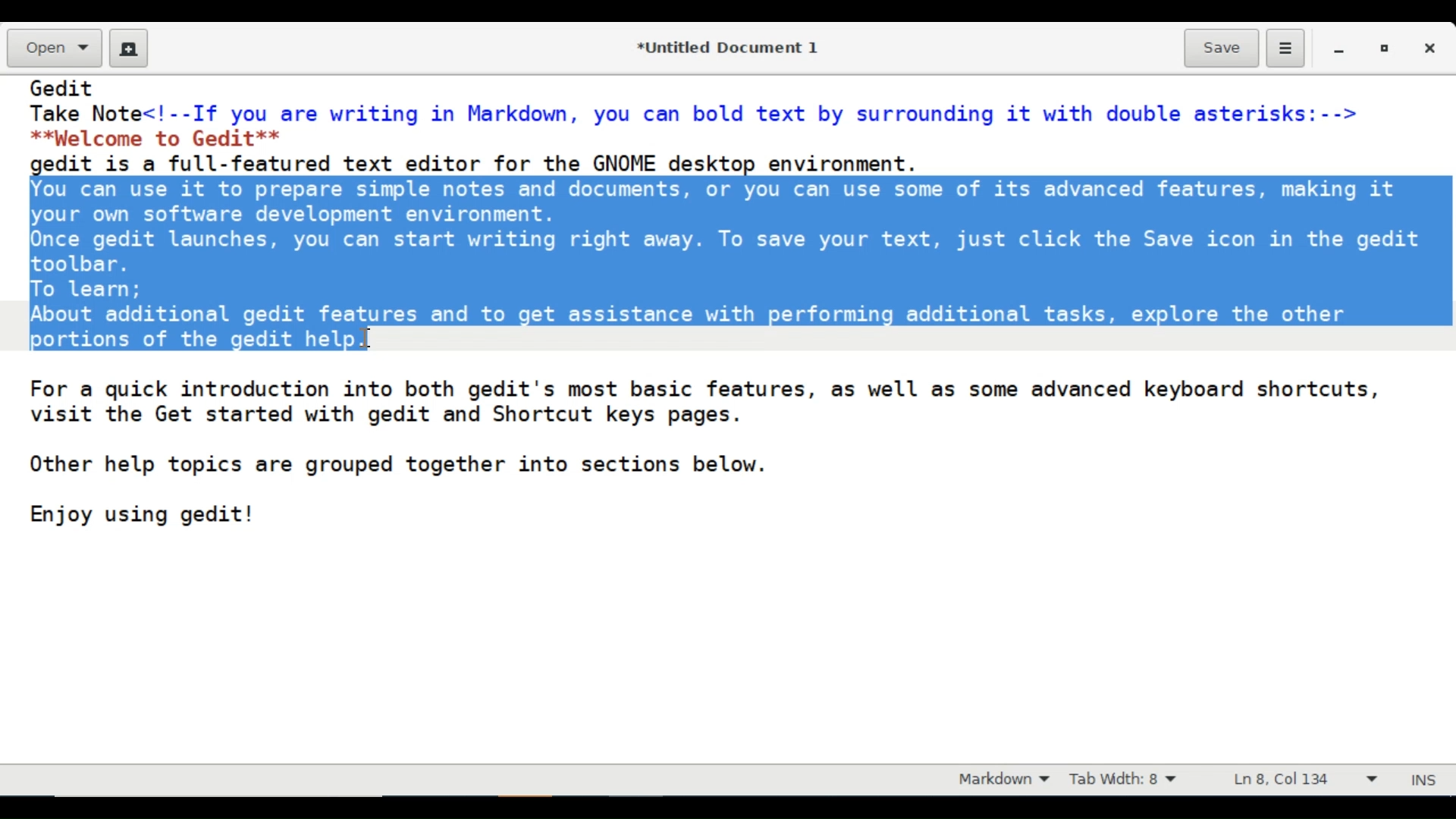  Describe the element at coordinates (1432, 48) in the screenshot. I see `Close` at that location.